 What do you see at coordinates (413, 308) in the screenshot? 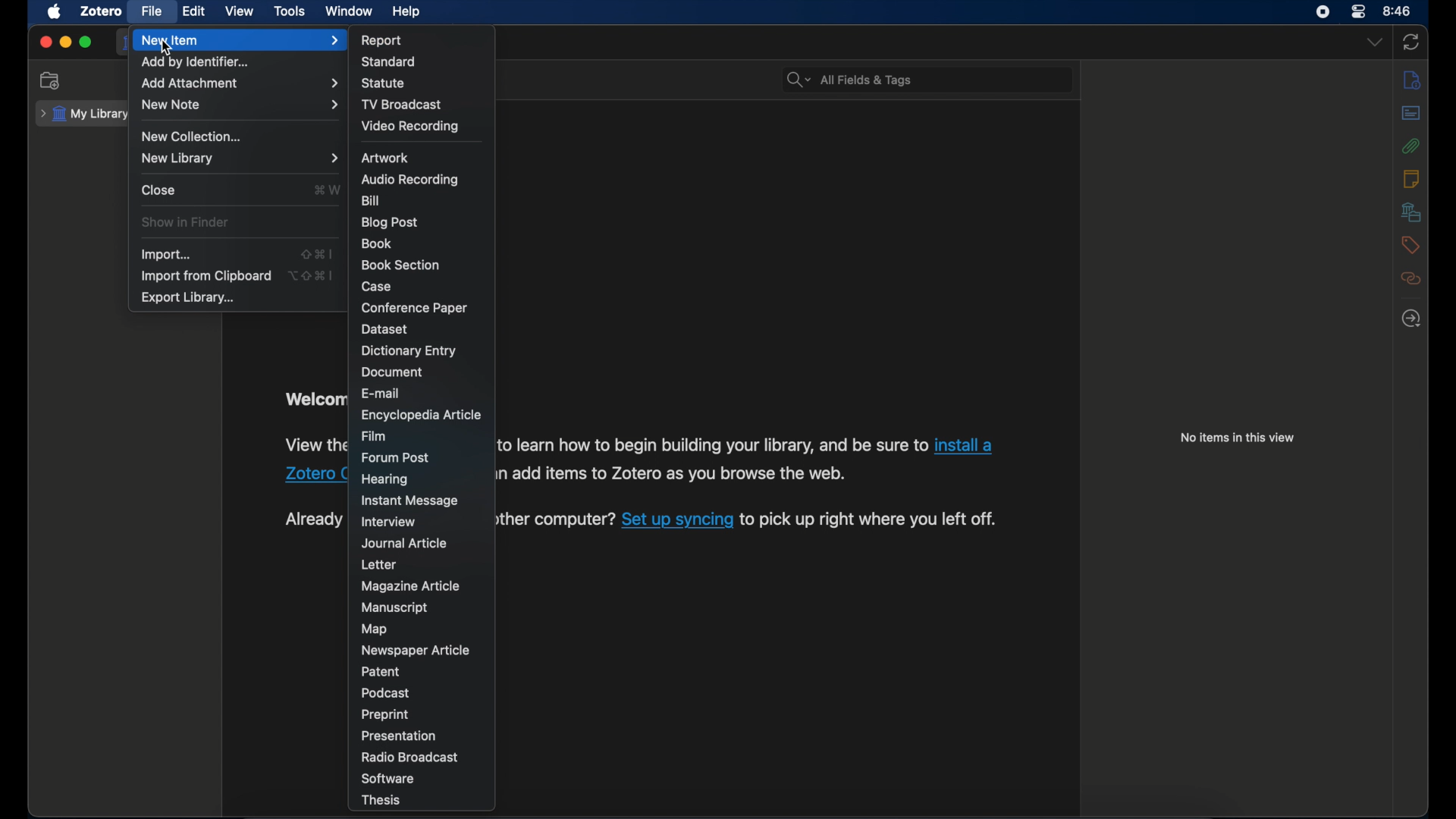
I see `conference paper` at bounding box center [413, 308].